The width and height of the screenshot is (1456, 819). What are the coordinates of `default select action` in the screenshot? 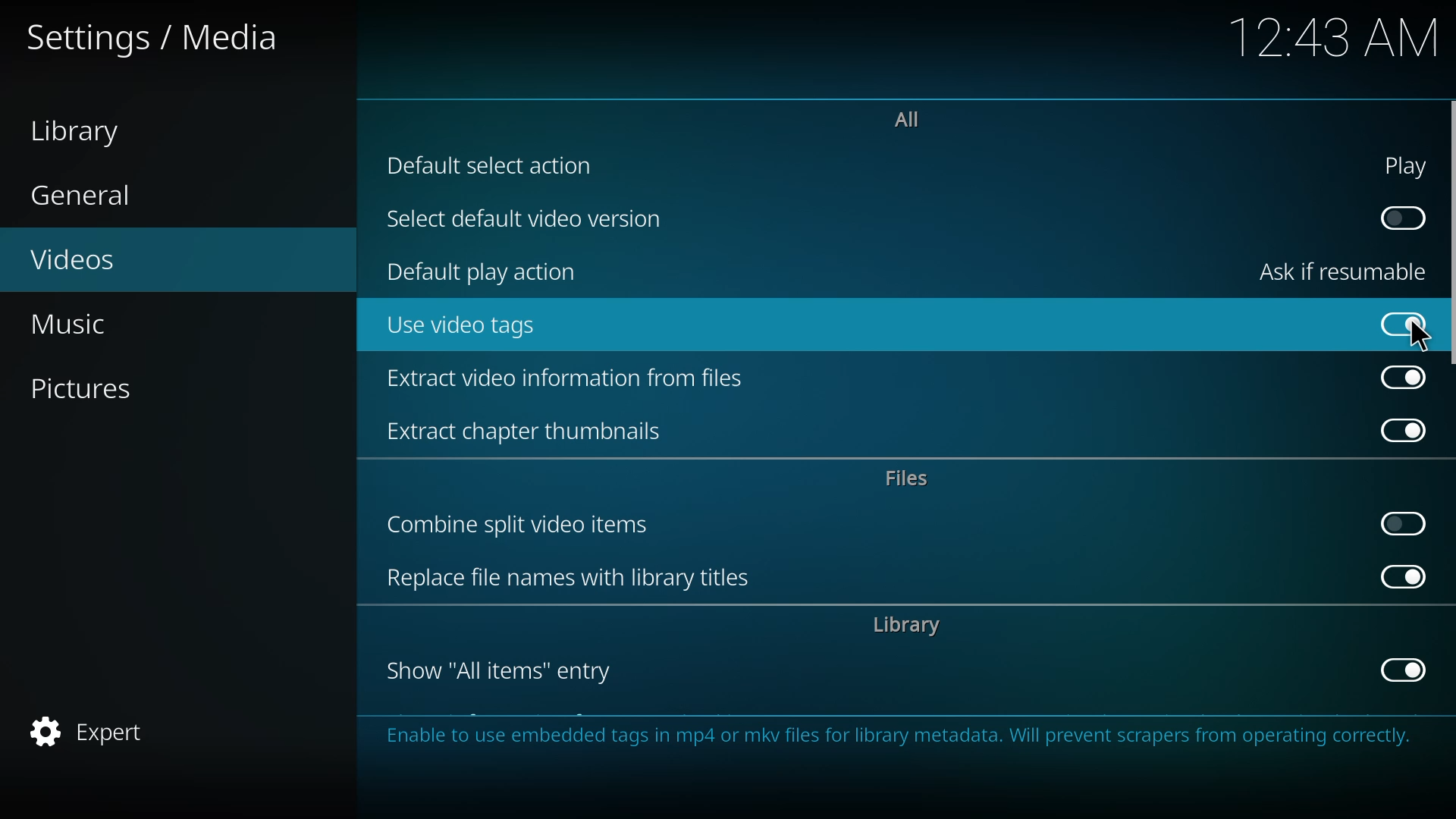 It's located at (496, 165).